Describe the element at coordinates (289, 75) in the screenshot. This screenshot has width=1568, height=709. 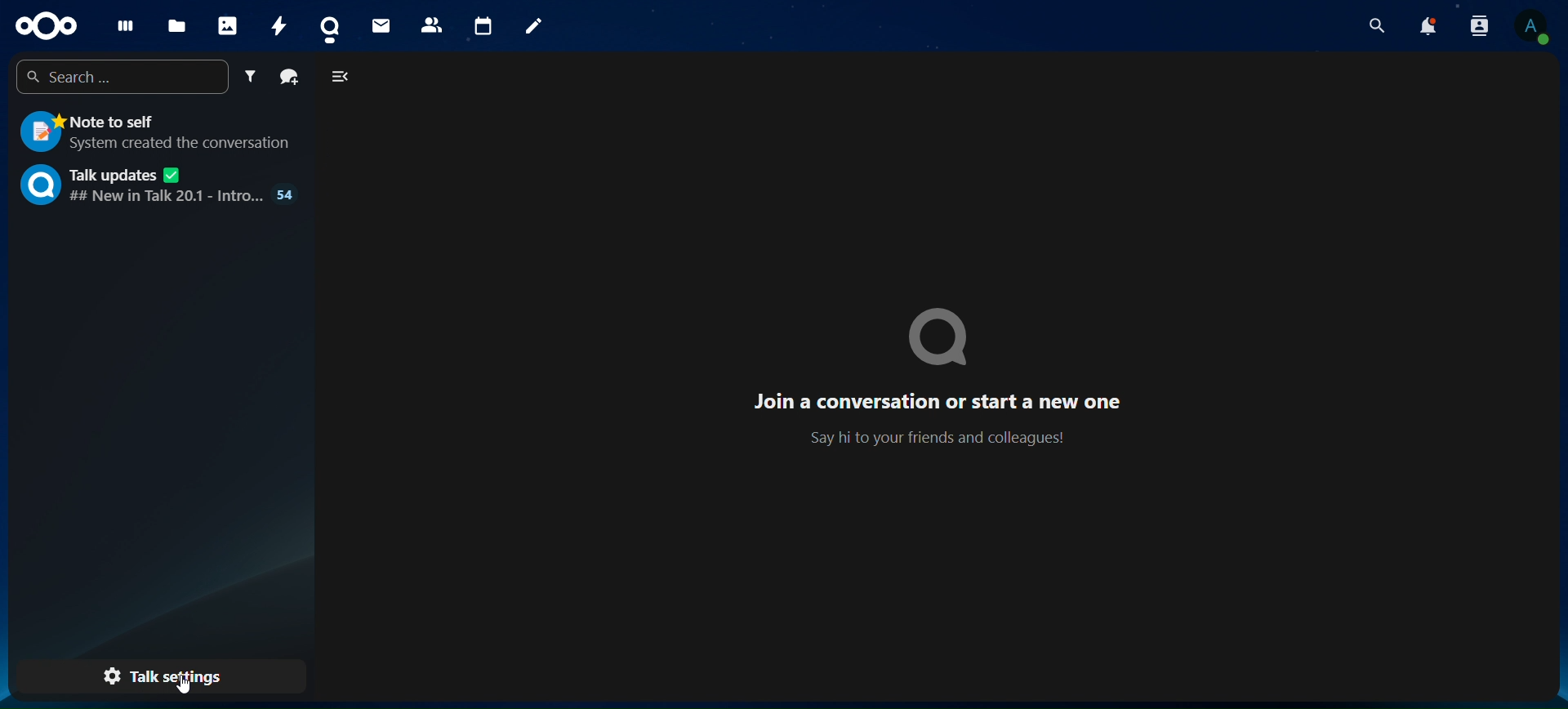
I see `create  a group` at that location.